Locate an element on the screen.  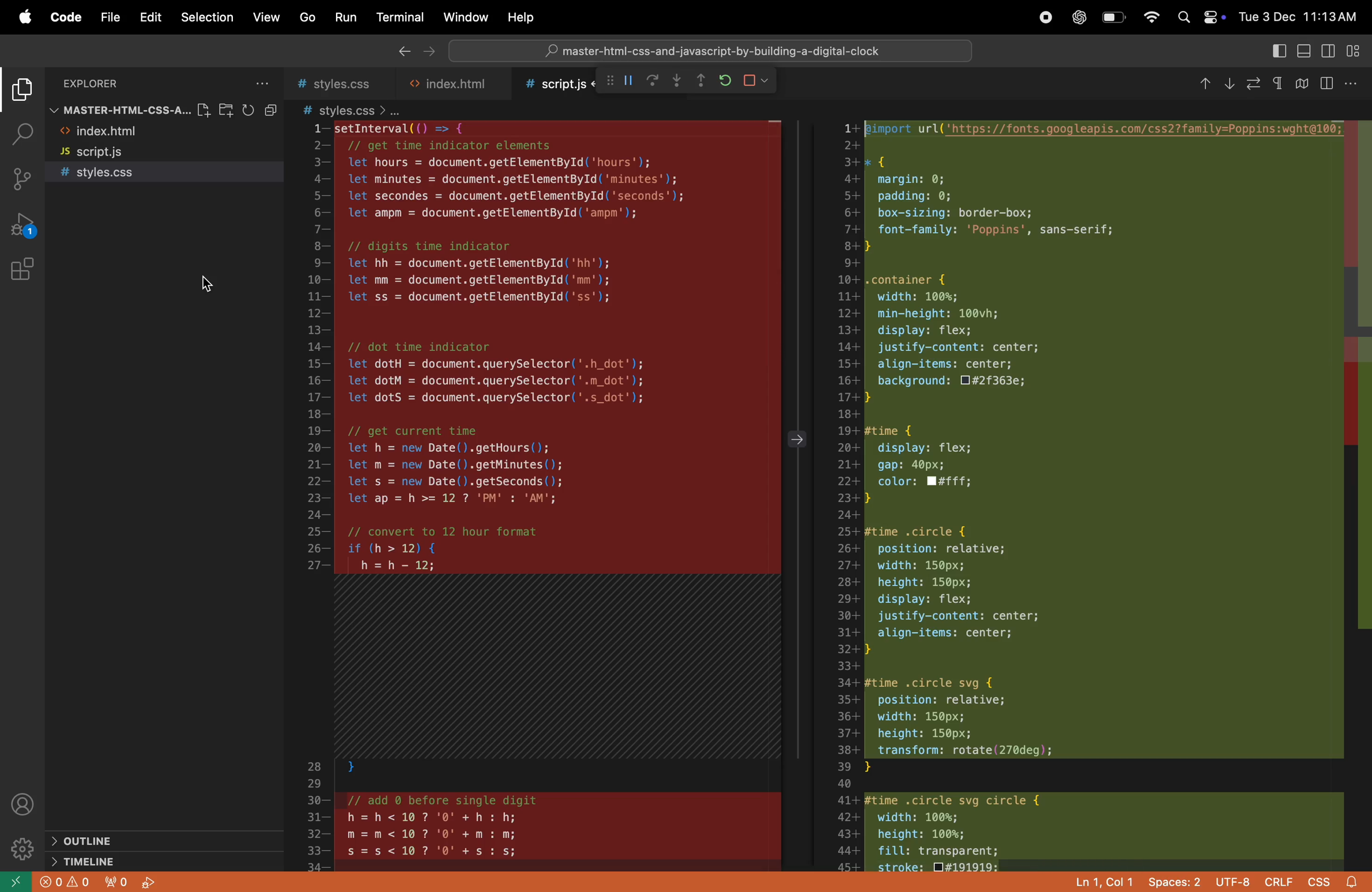
Toggle Collapse unchanged region is located at coordinates (1301, 83).